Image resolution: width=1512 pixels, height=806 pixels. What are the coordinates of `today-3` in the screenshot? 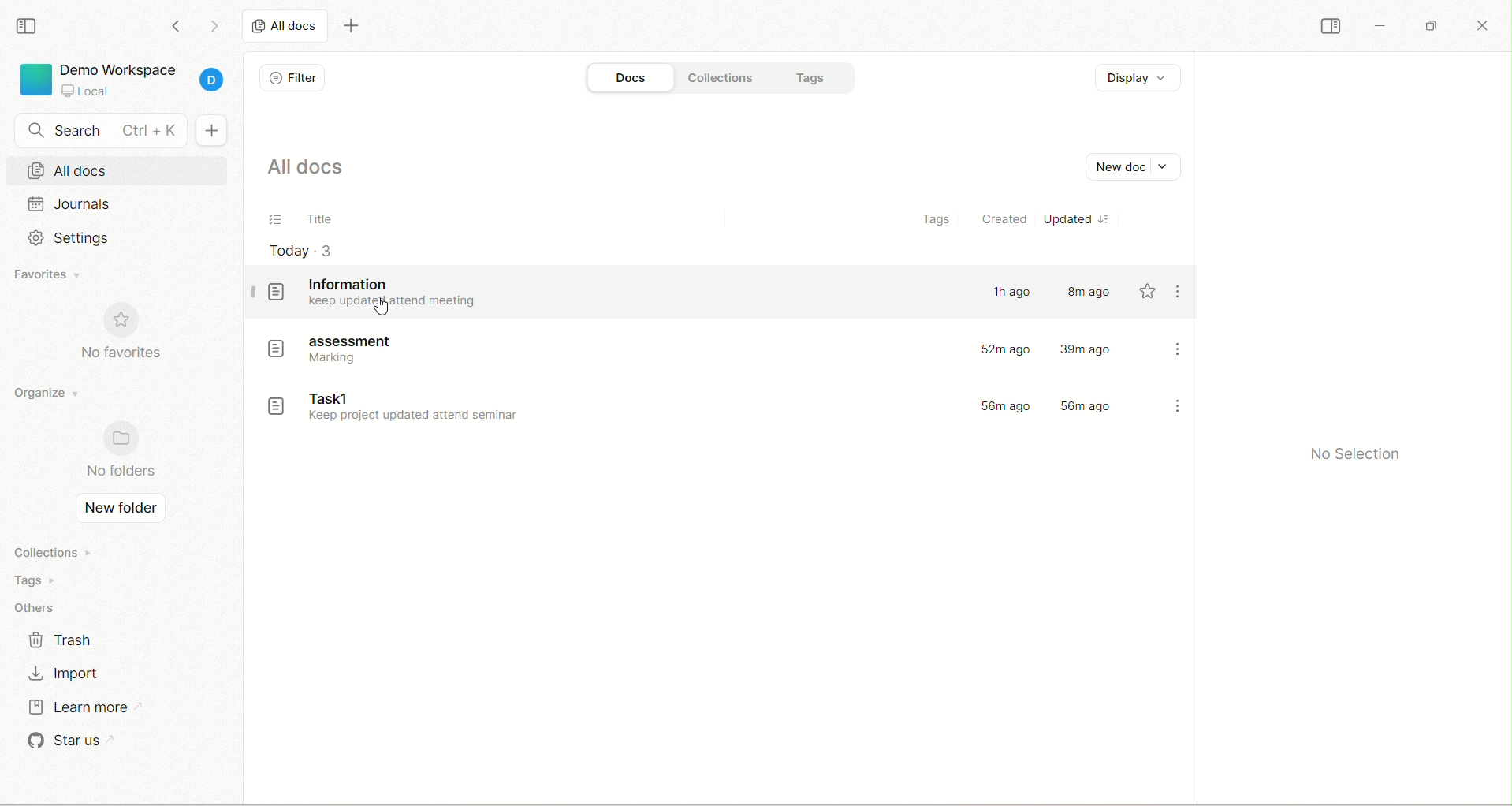 It's located at (311, 249).